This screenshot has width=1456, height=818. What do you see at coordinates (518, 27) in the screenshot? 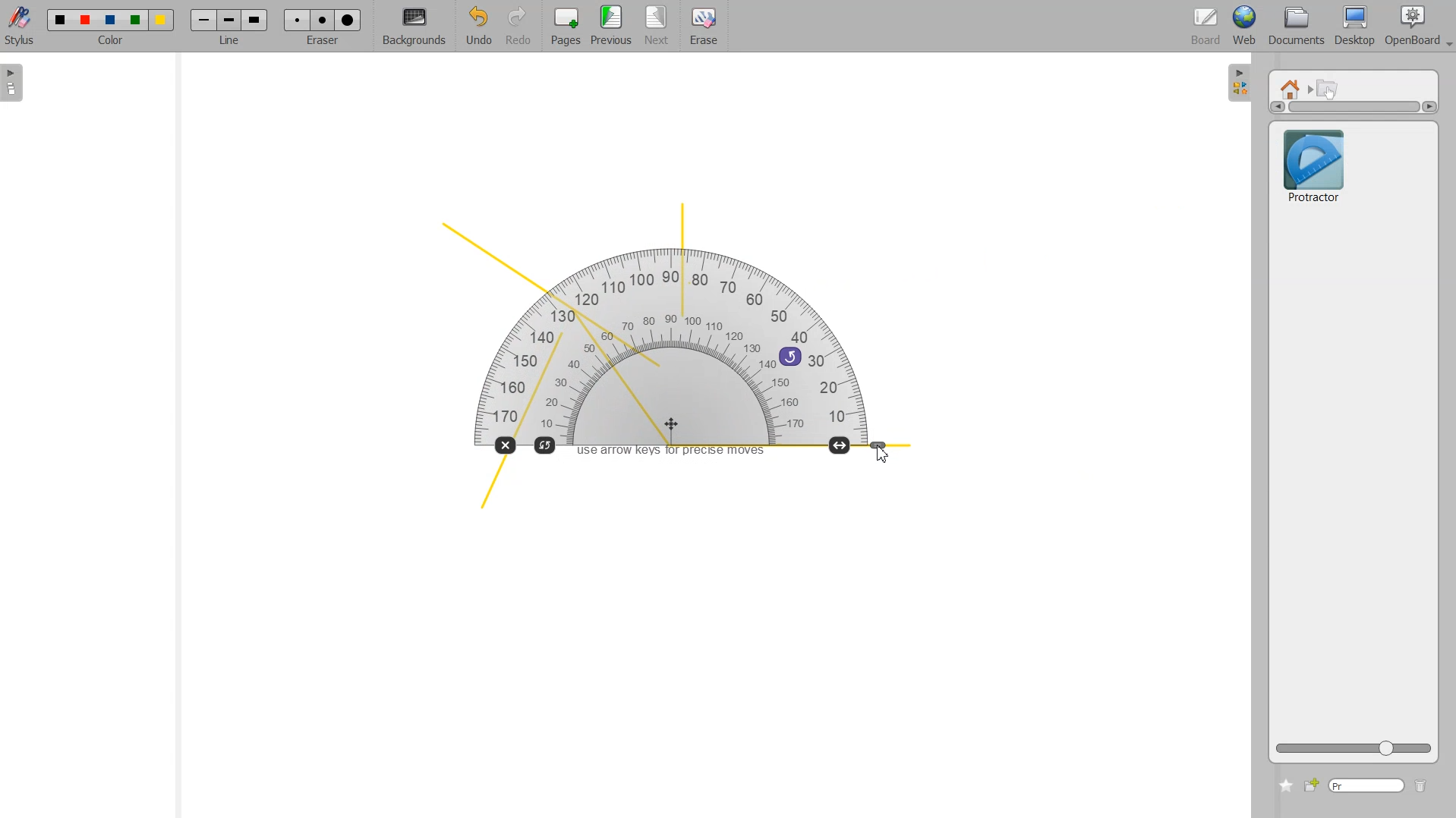
I see `Redo` at bounding box center [518, 27].